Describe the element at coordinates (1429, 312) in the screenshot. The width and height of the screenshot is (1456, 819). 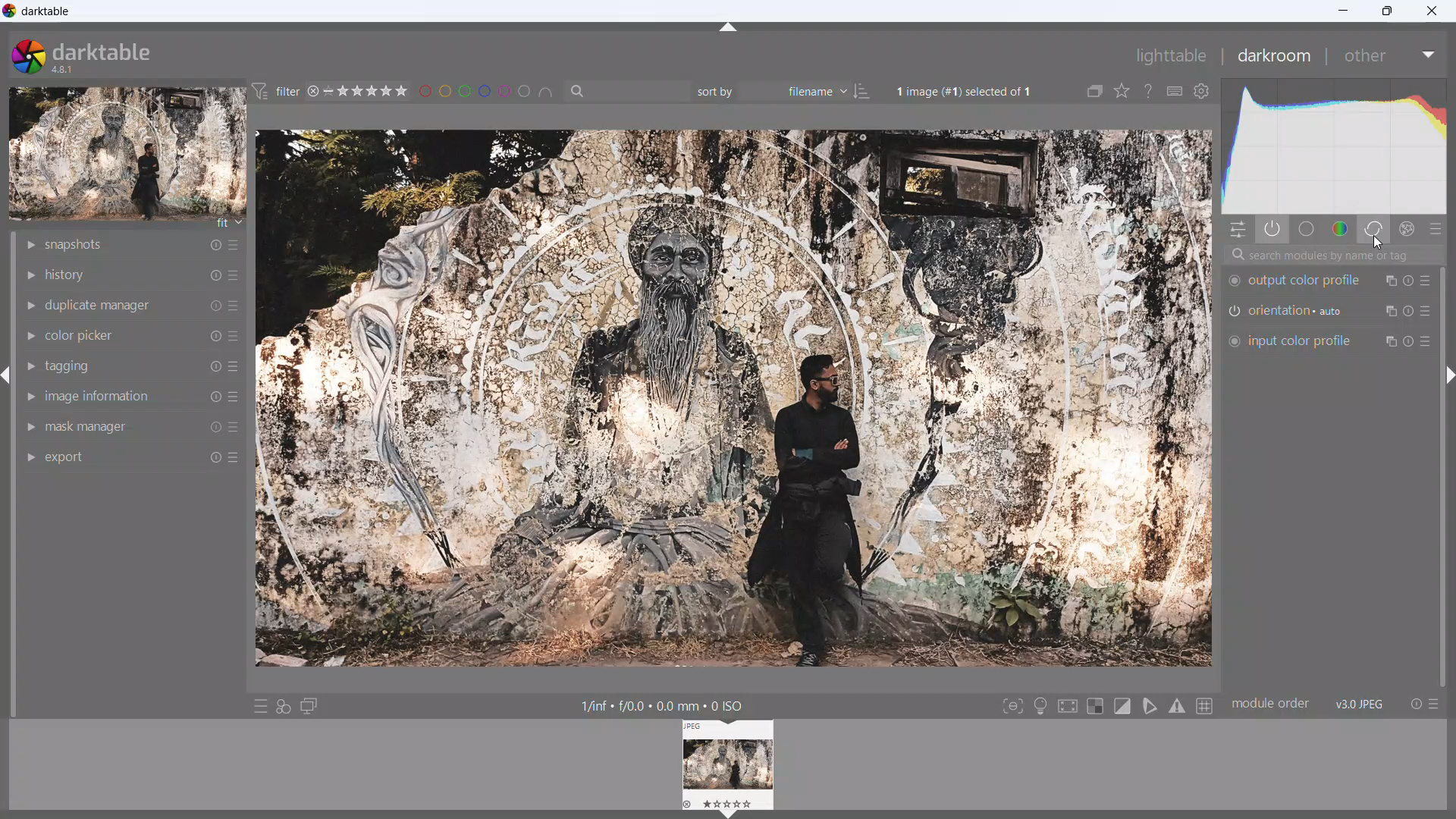
I see `` at that location.